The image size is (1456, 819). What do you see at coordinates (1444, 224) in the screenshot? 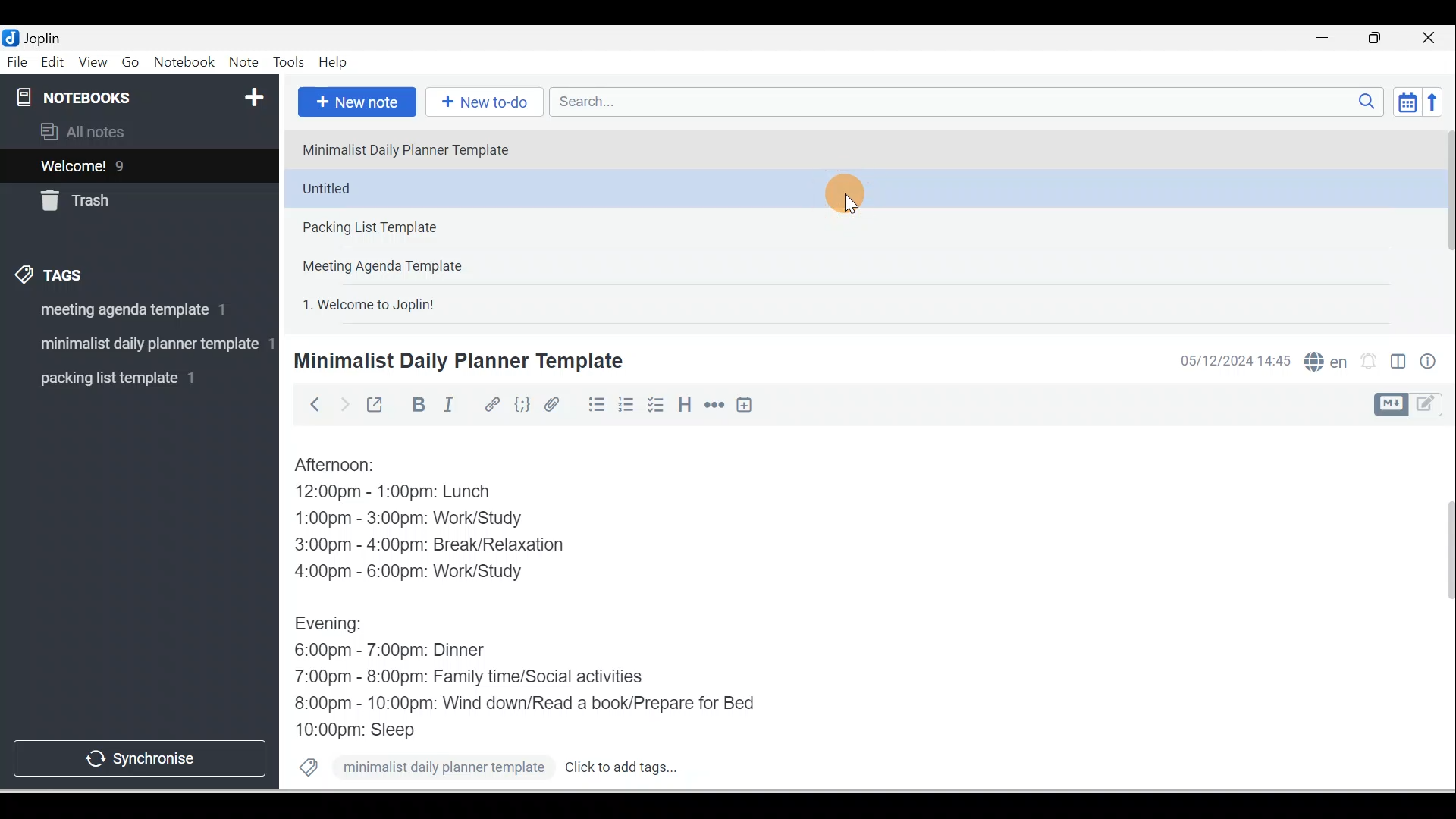
I see `Scroll bar` at bounding box center [1444, 224].